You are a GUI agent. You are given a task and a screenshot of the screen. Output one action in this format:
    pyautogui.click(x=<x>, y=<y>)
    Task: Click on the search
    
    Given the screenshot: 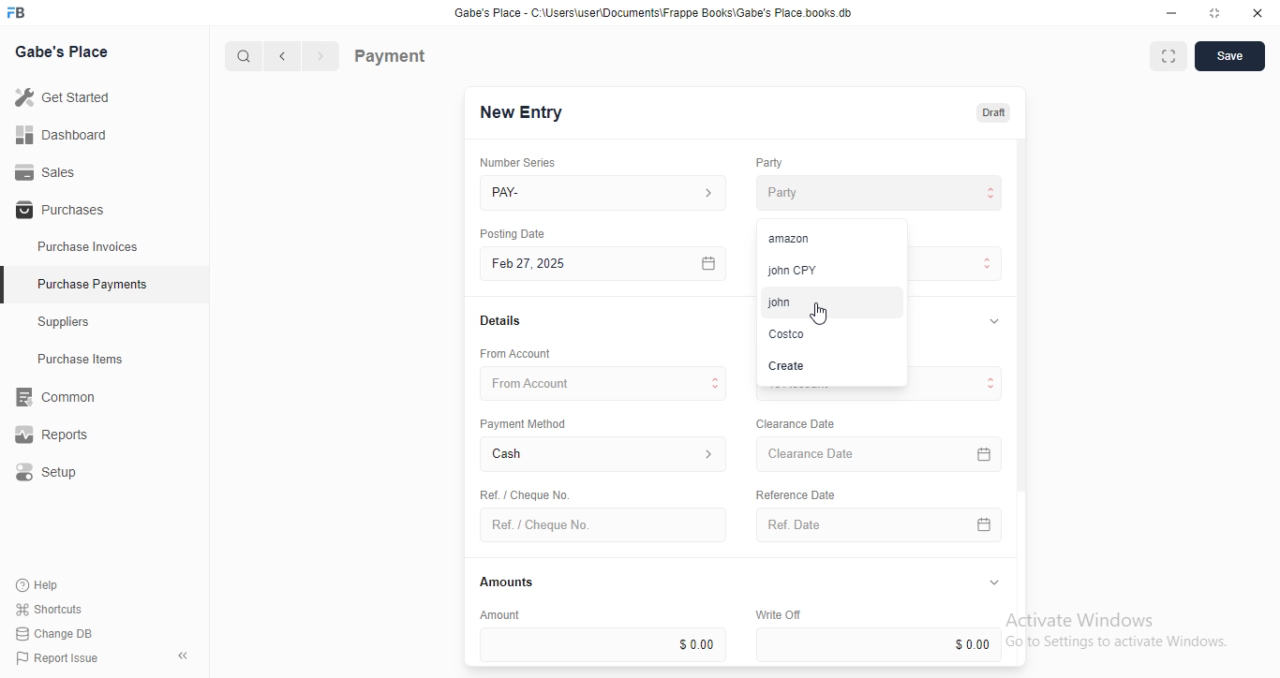 What is the action you would take?
    pyautogui.click(x=245, y=57)
    